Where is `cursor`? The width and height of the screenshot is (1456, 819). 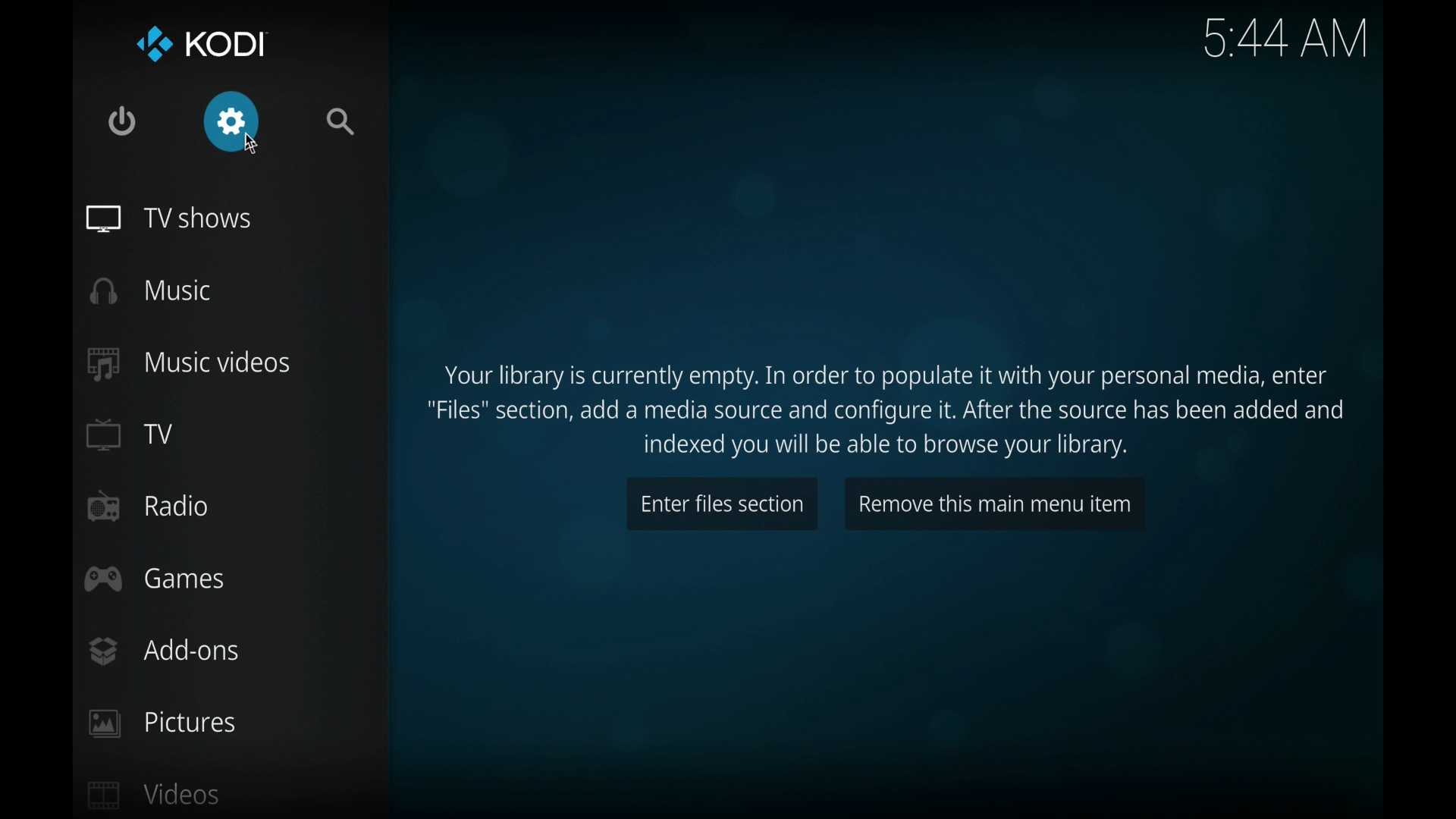 cursor is located at coordinates (249, 143).